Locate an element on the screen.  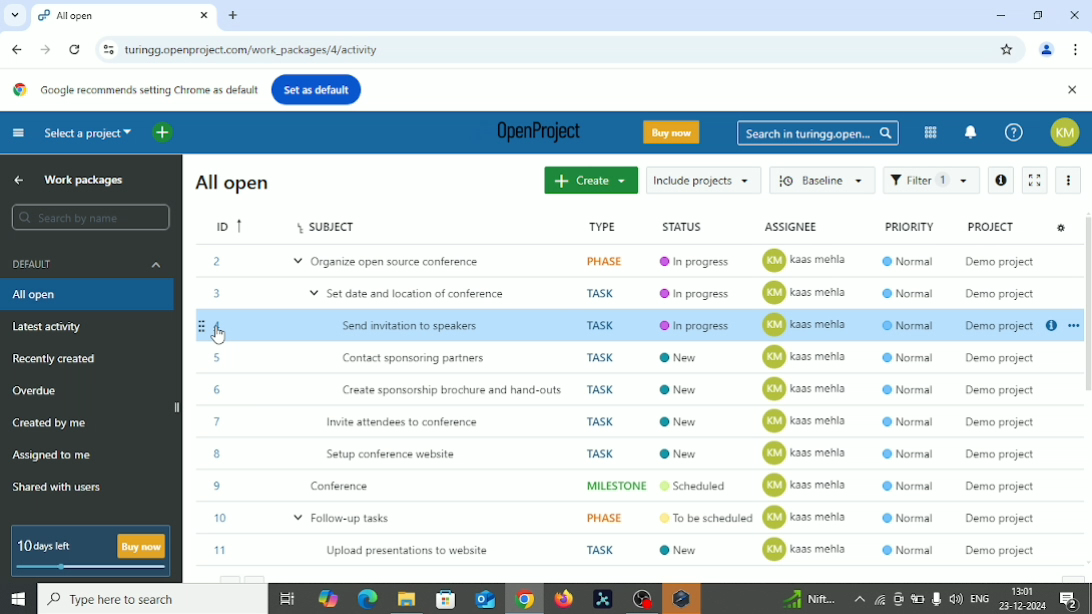
Configure view is located at coordinates (1061, 228).